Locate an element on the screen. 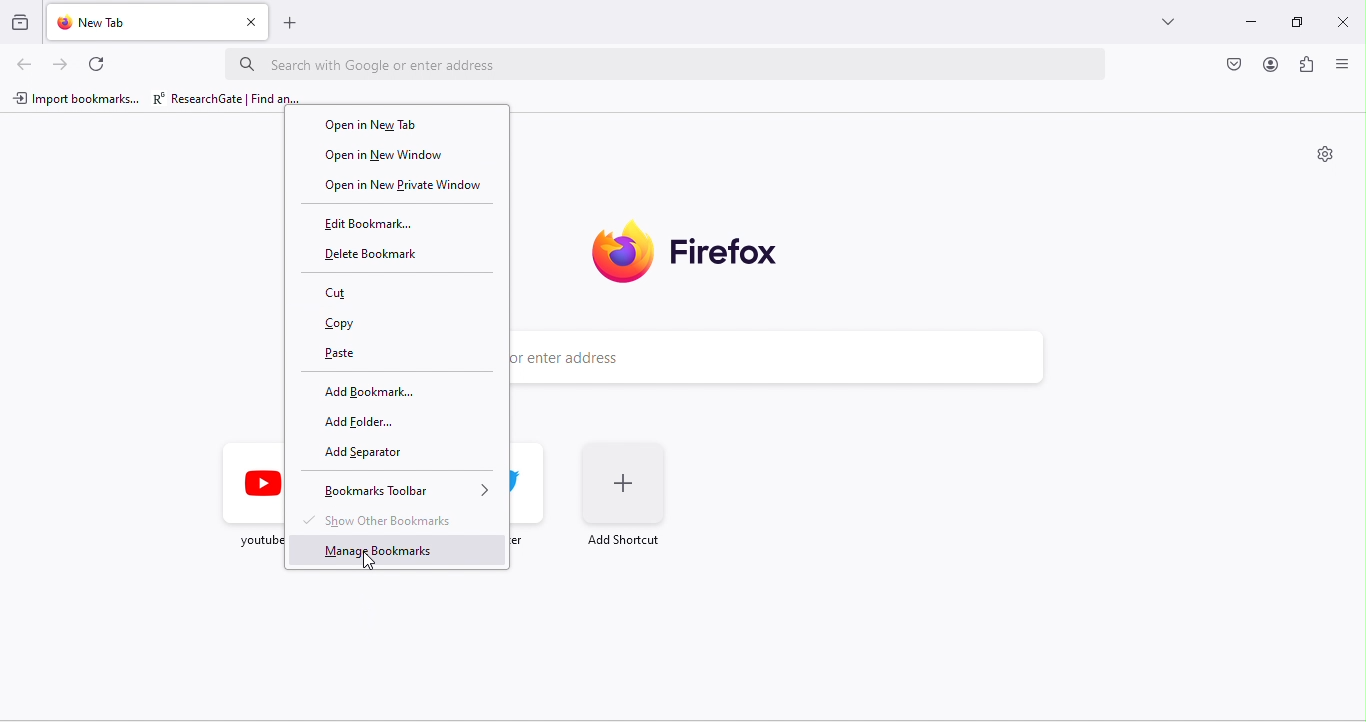 This screenshot has width=1366, height=722. add bookmark is located at coordinates (390, 393).